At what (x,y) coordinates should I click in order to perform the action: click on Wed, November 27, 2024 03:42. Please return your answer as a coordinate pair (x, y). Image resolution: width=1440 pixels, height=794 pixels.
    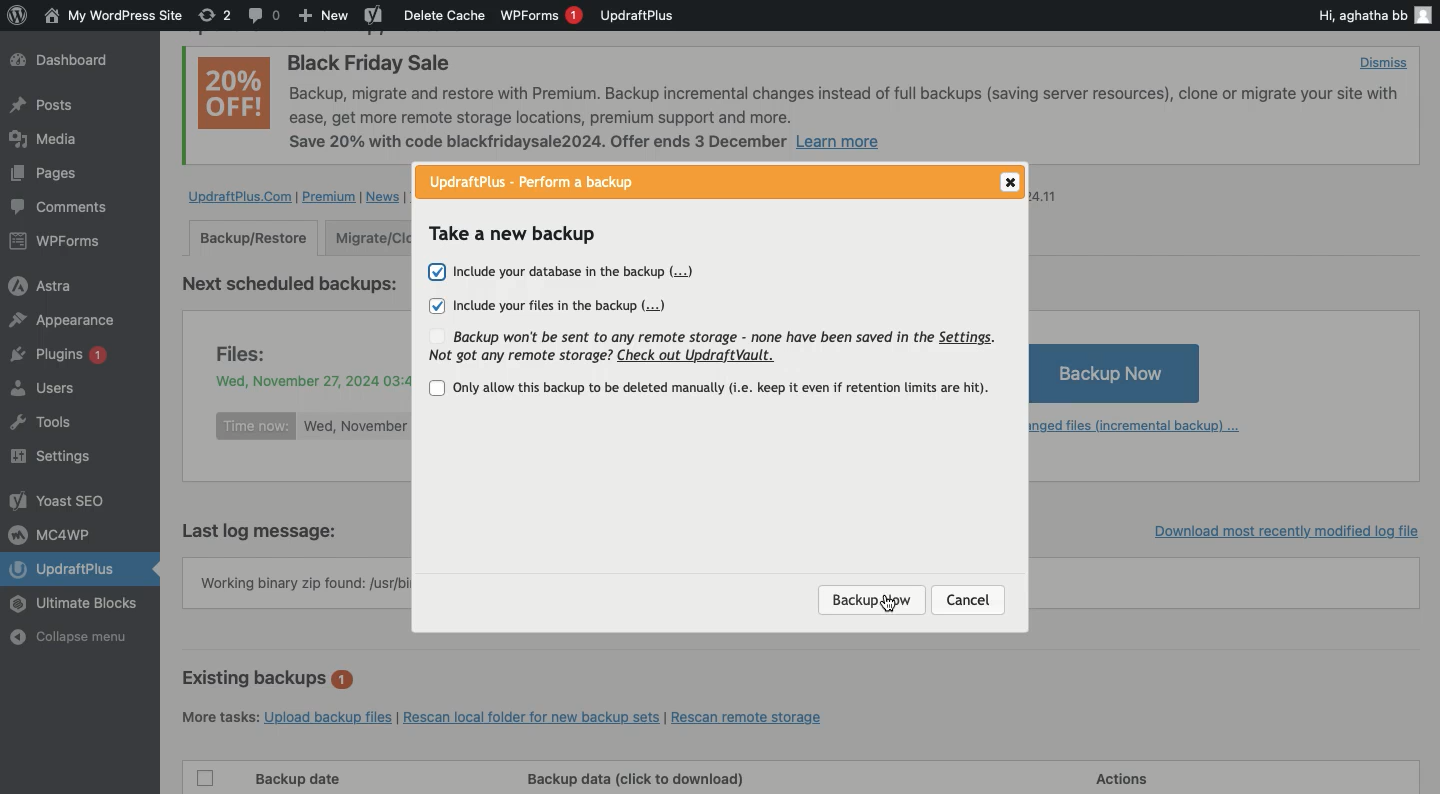
    Looking at the image, I should click on (354, 427).